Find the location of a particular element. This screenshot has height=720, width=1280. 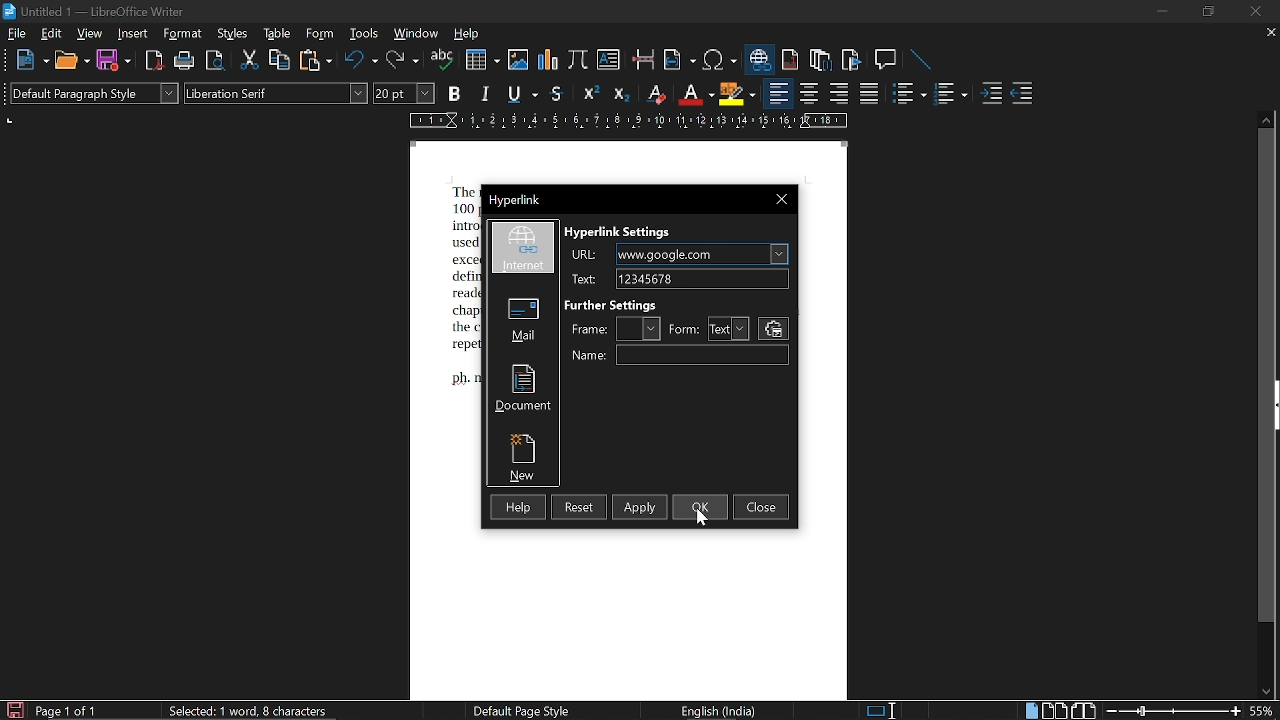

URL is located at coordinates (702, 254).